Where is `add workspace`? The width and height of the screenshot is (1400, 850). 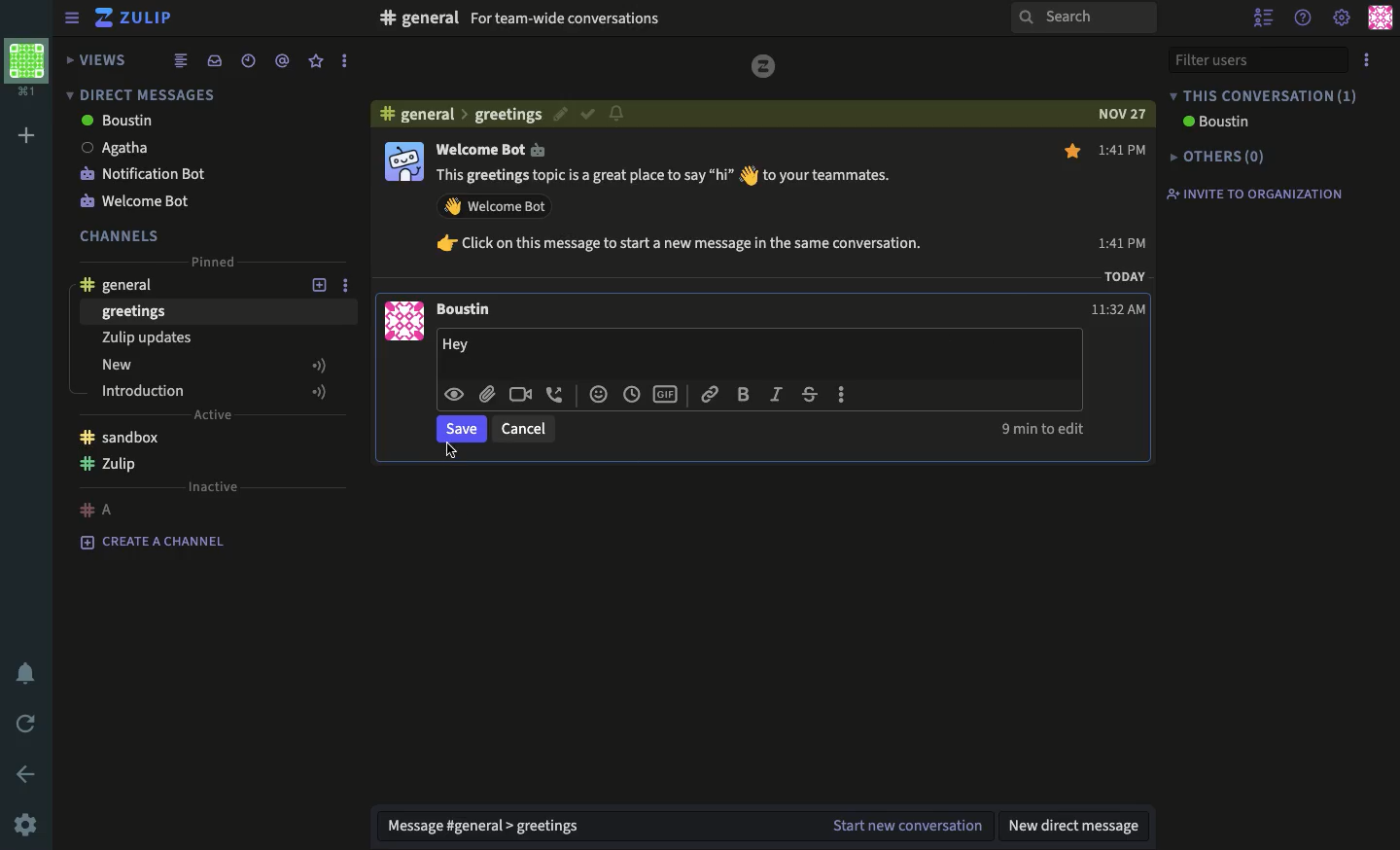
add workspace is located at coordinates (25, 135).